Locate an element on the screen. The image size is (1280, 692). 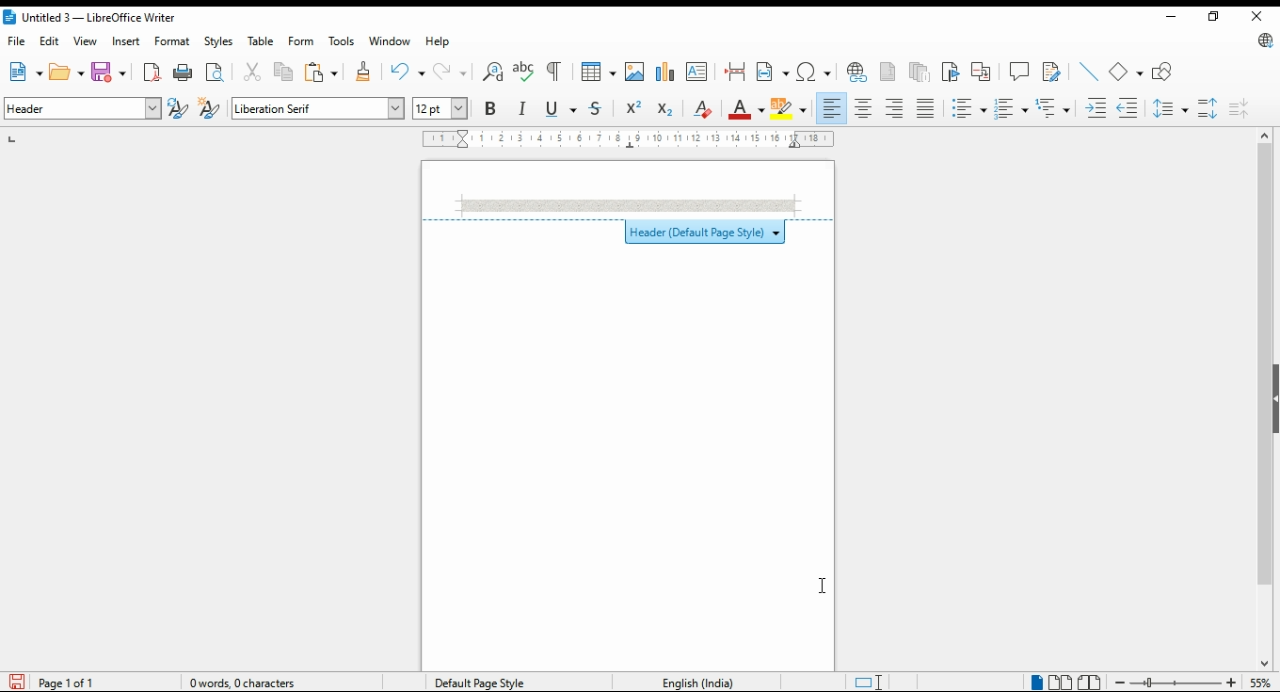
align left is located at coordinates (832, 108).